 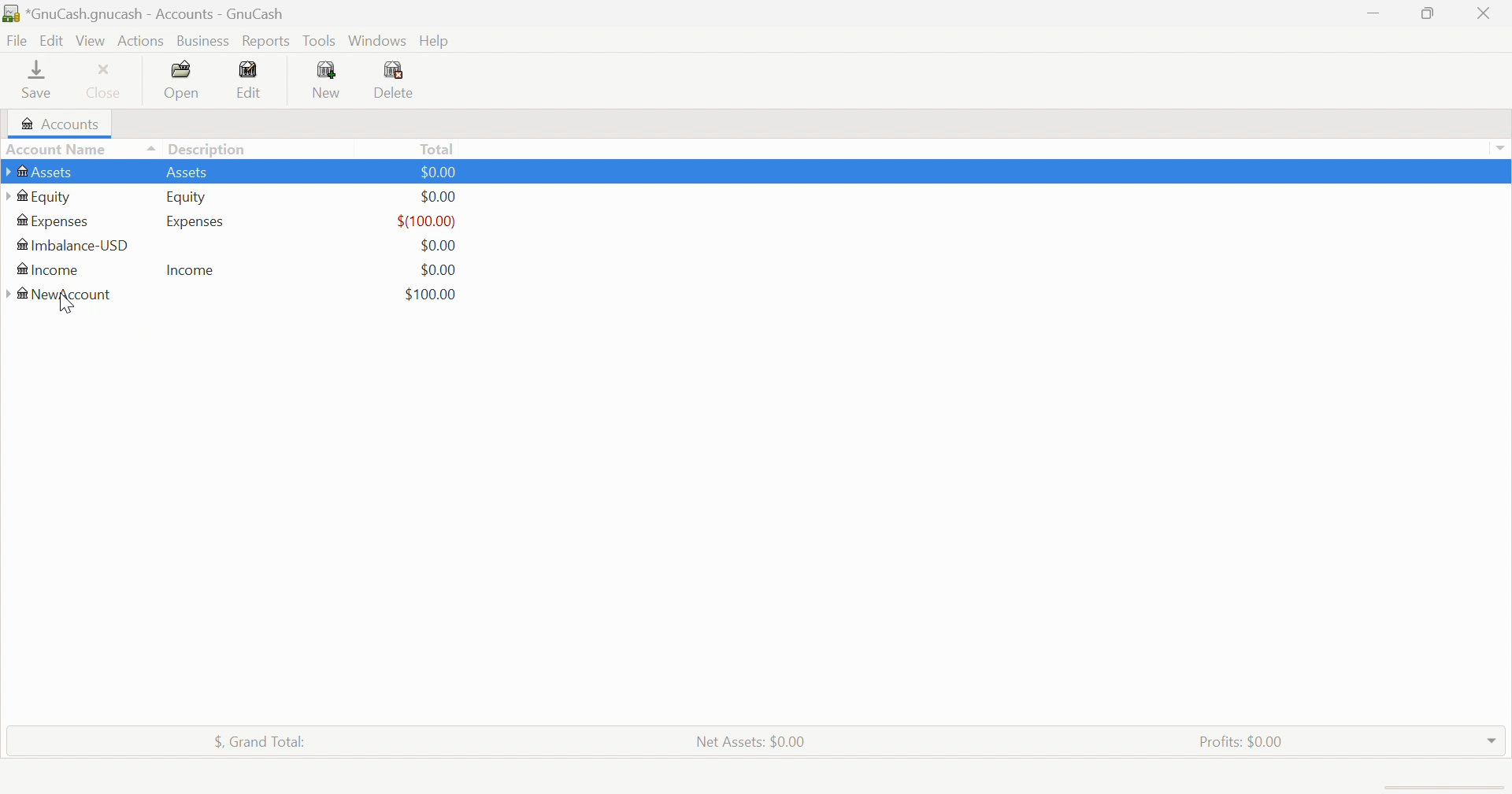 I want to click on Equity, so click(x=39, y=196).